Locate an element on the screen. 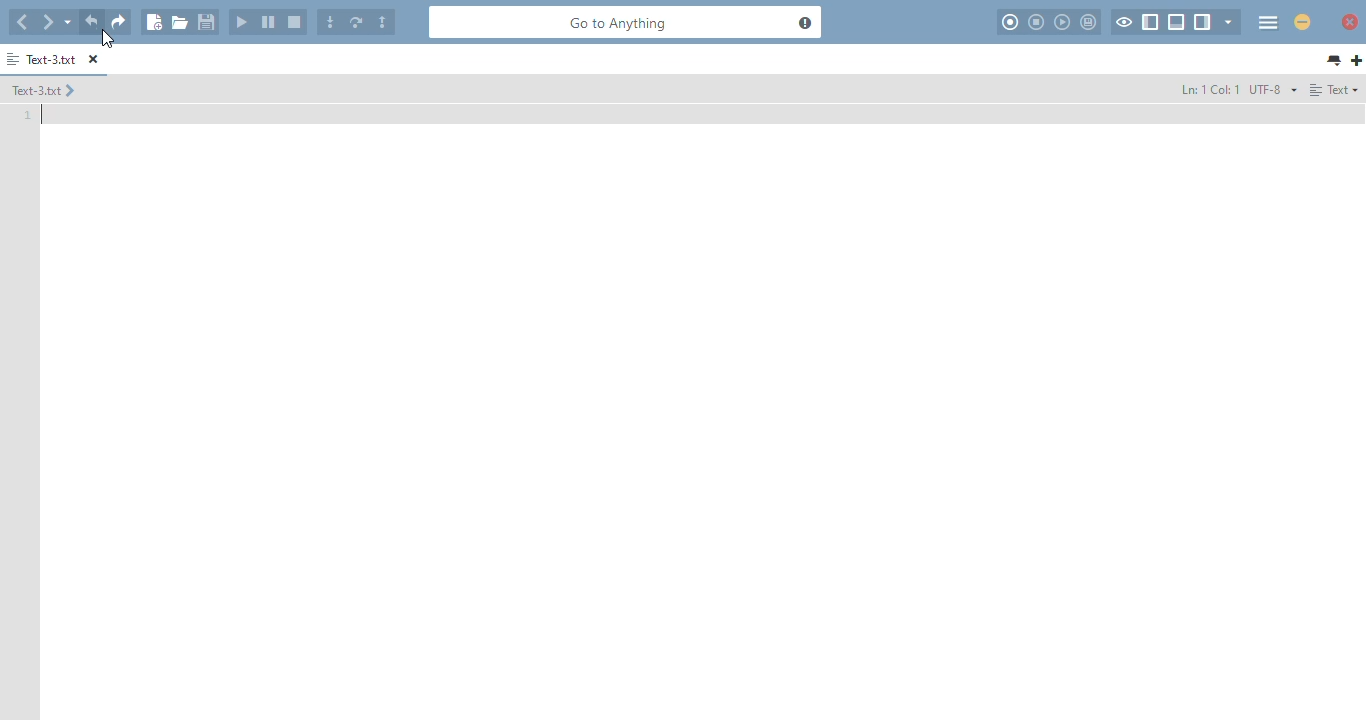 The width and height of the screenshot is (1366, 720). save file is located at coordinates (206, 22).